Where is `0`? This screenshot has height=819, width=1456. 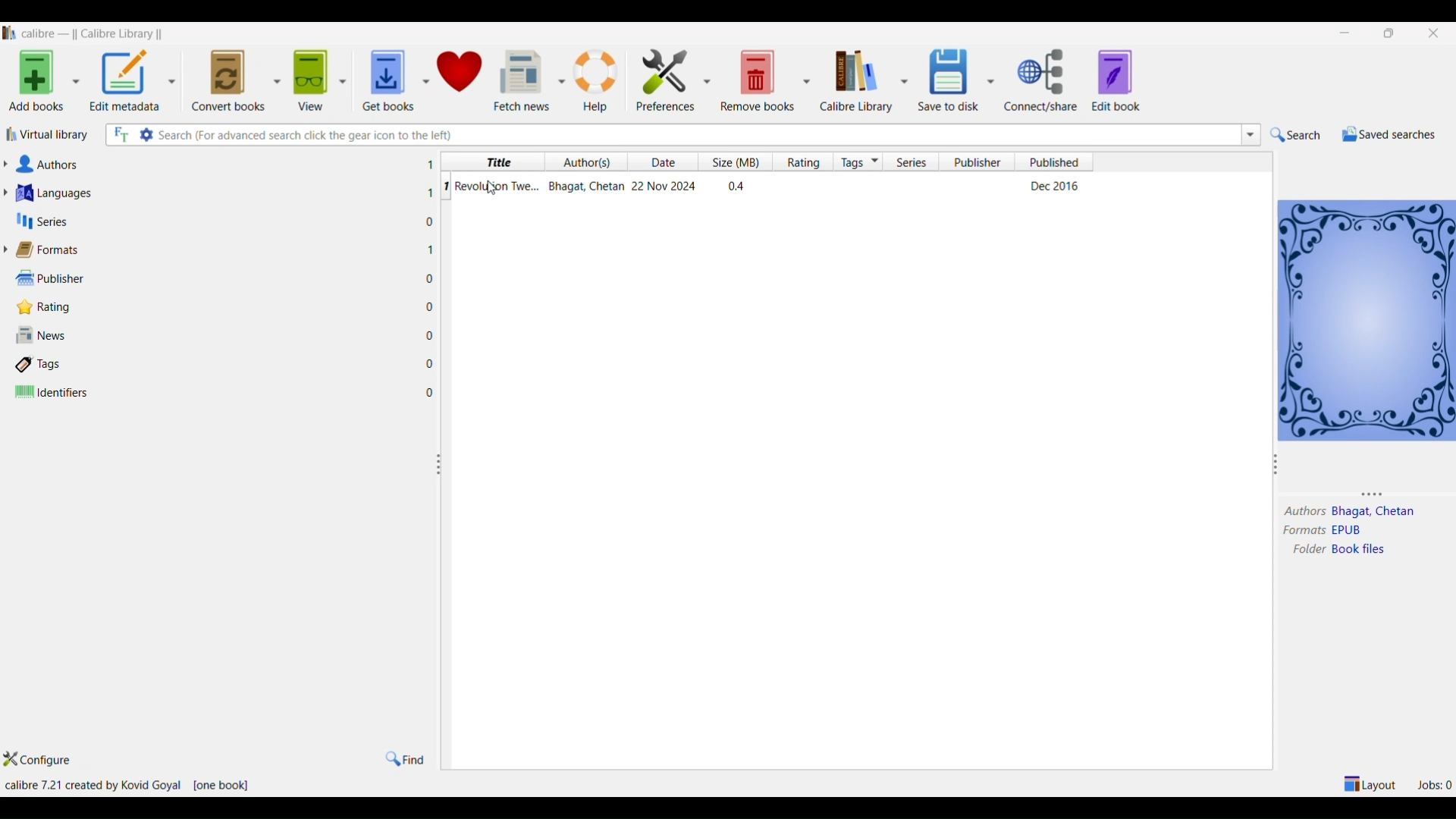 0 is located at coordinates (430, 222).